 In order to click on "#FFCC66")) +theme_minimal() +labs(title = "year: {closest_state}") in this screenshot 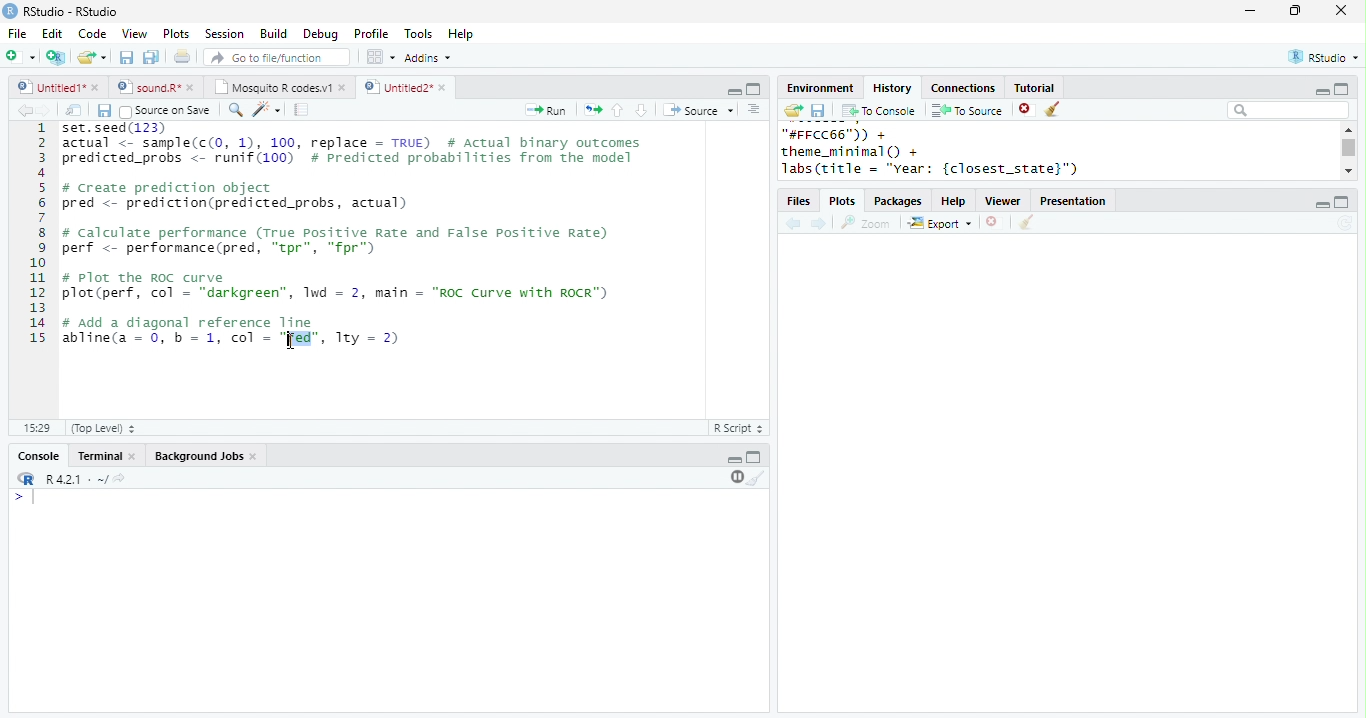, I will do `click(955, 152)`.